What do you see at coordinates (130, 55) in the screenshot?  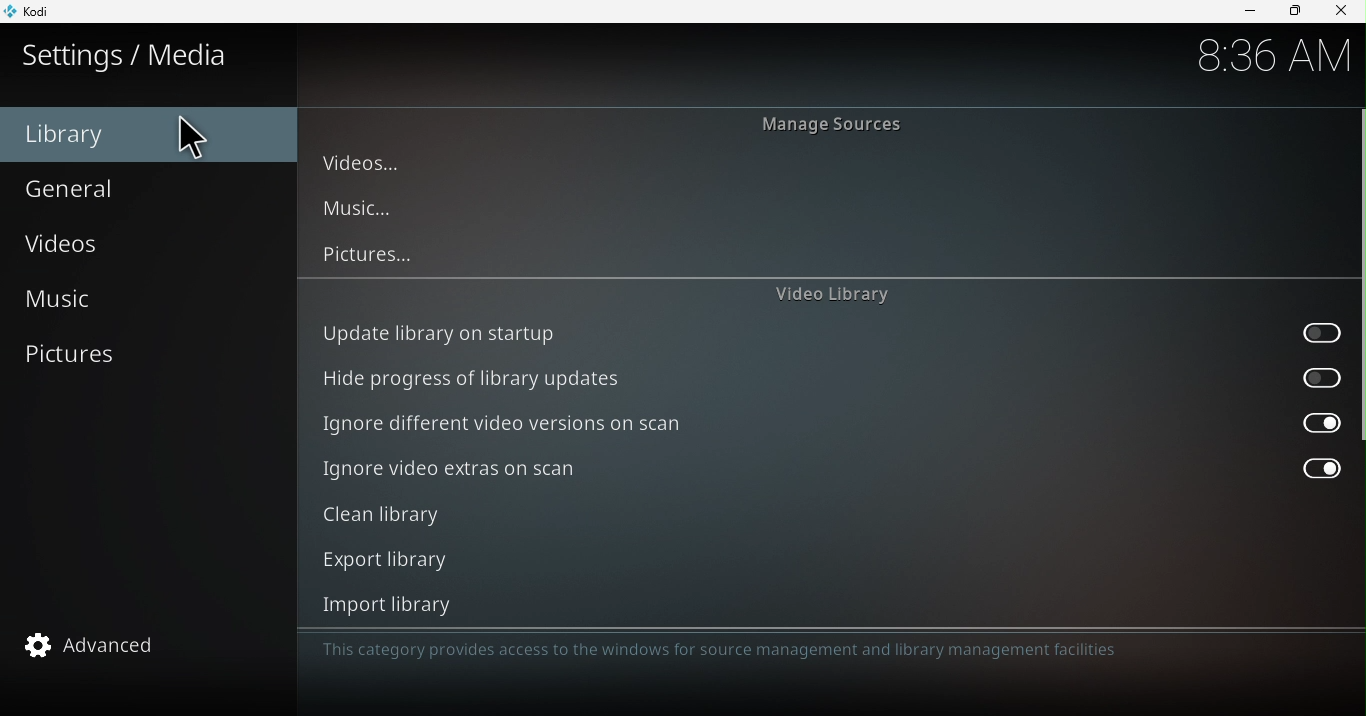 I see `Settings/media` at bounding box center [130, 55].